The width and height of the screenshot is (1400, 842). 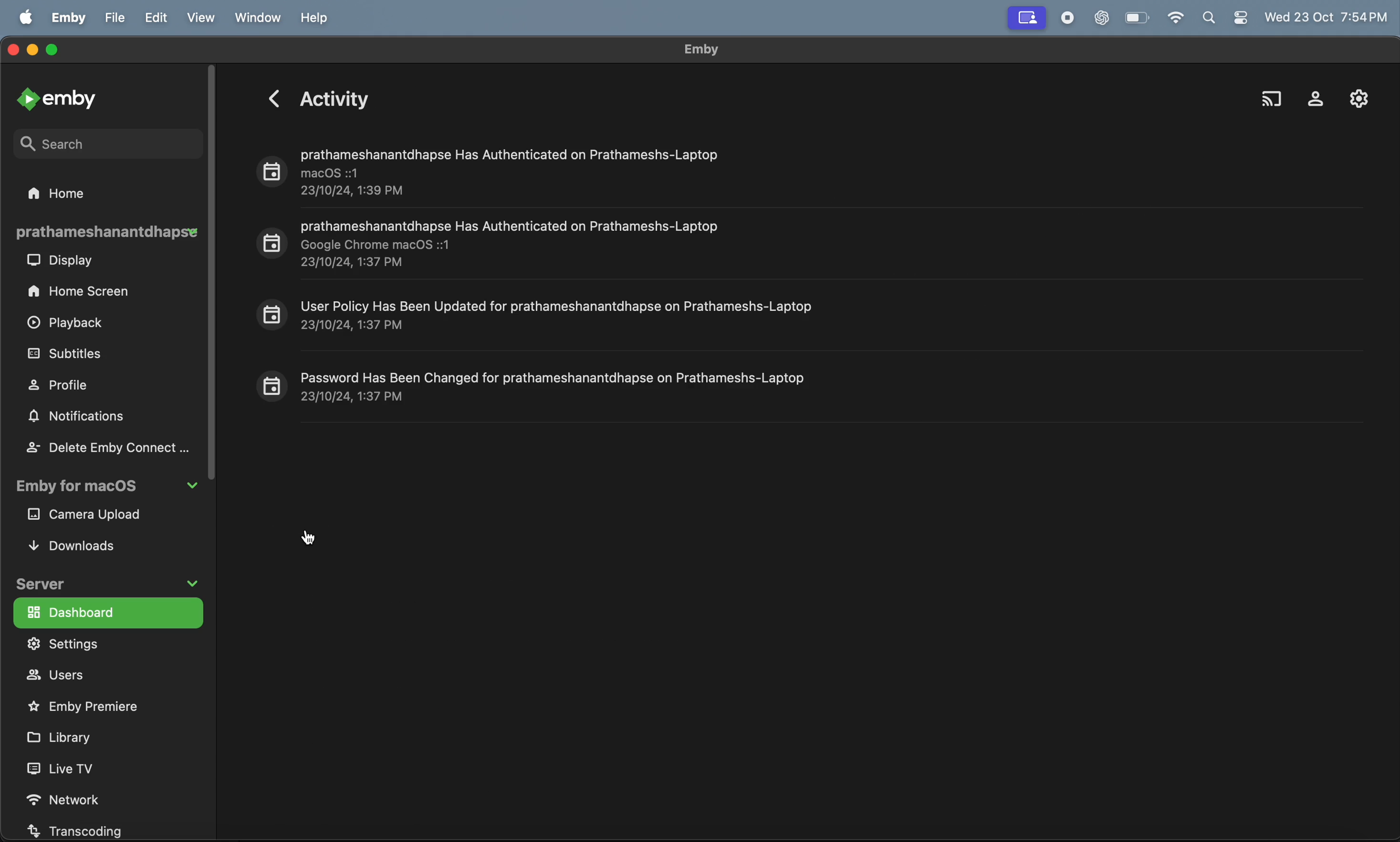 I want to click on delete emby connect, so click(x=106, y=447).